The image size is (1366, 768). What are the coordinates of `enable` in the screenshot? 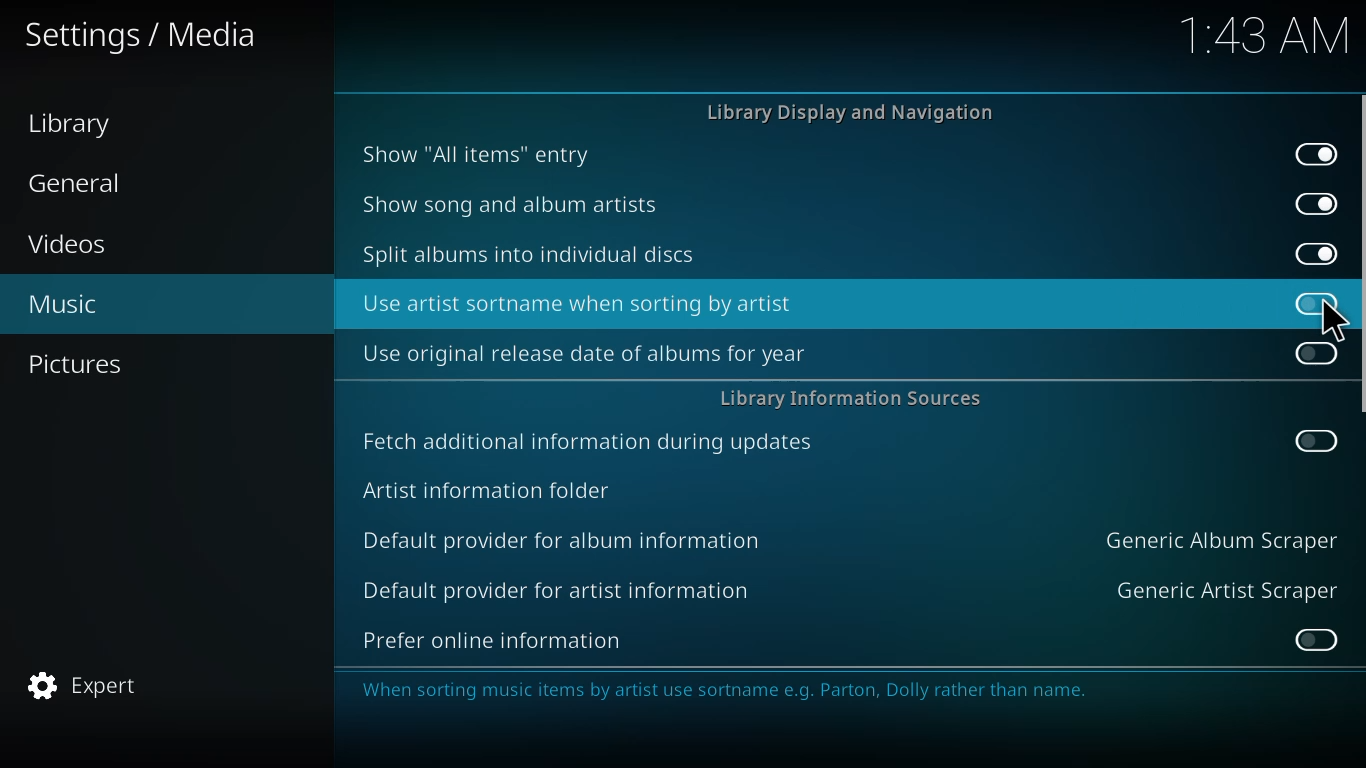 It's located at (1314, 639).